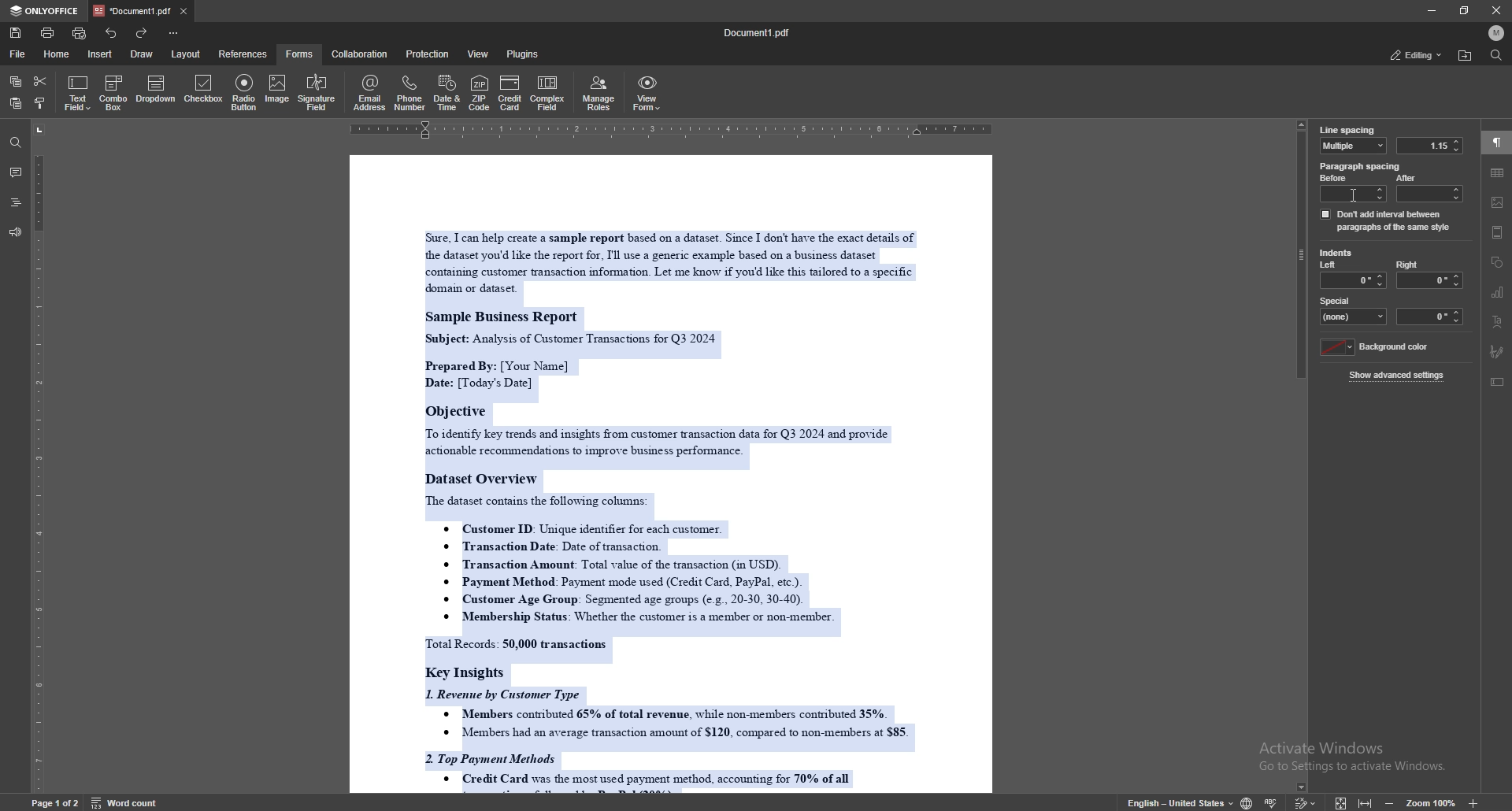  Describe the element at coordinates (99, 54) in the screenshot. I see `insert` at that location.